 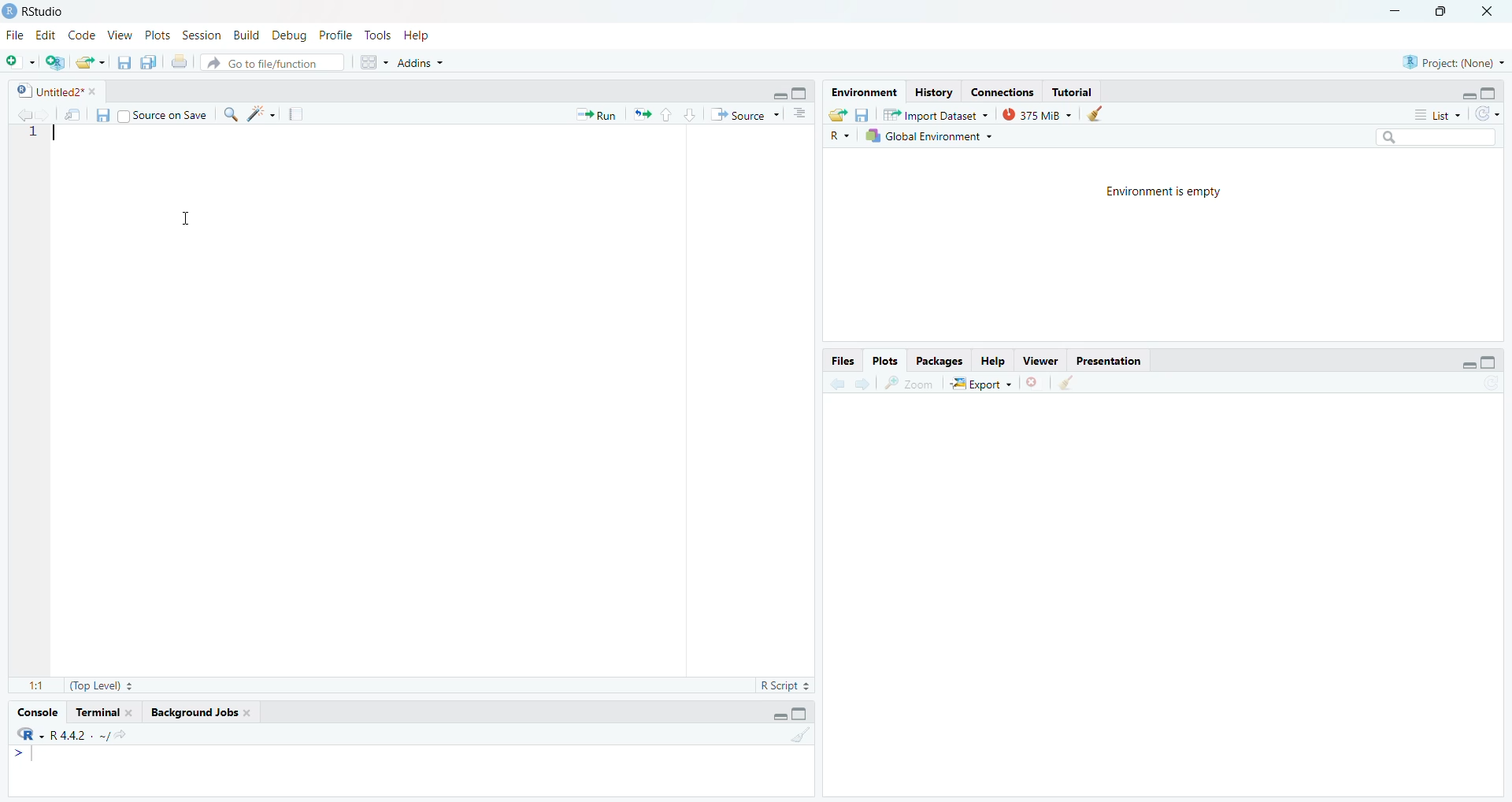 I want to click on History, so click(x=932, y=92).